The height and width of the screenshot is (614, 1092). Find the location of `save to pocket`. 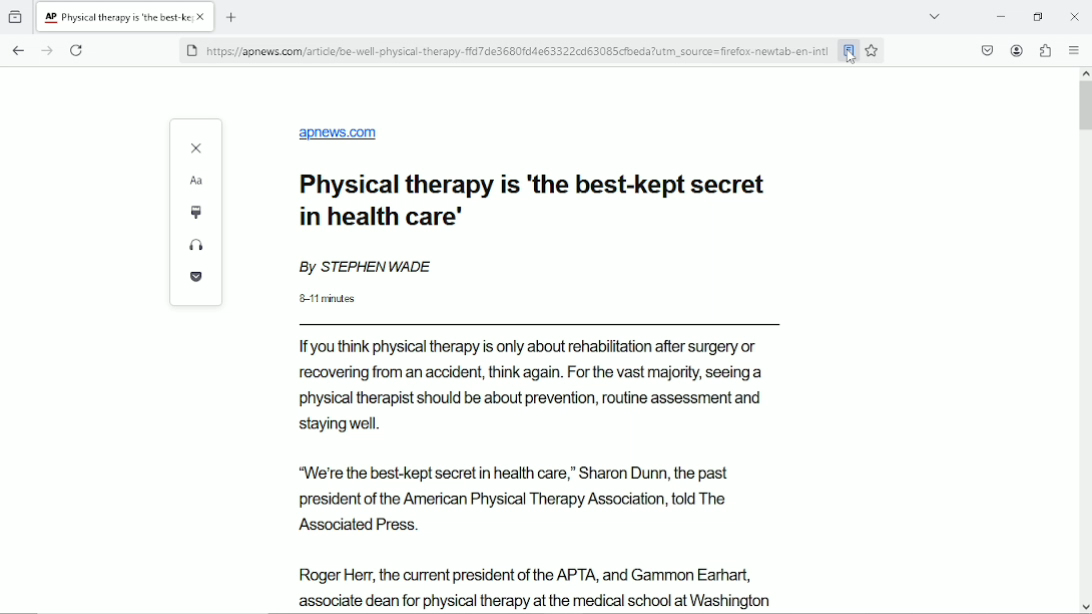

save to pocket is located at coordinates (196, 278).